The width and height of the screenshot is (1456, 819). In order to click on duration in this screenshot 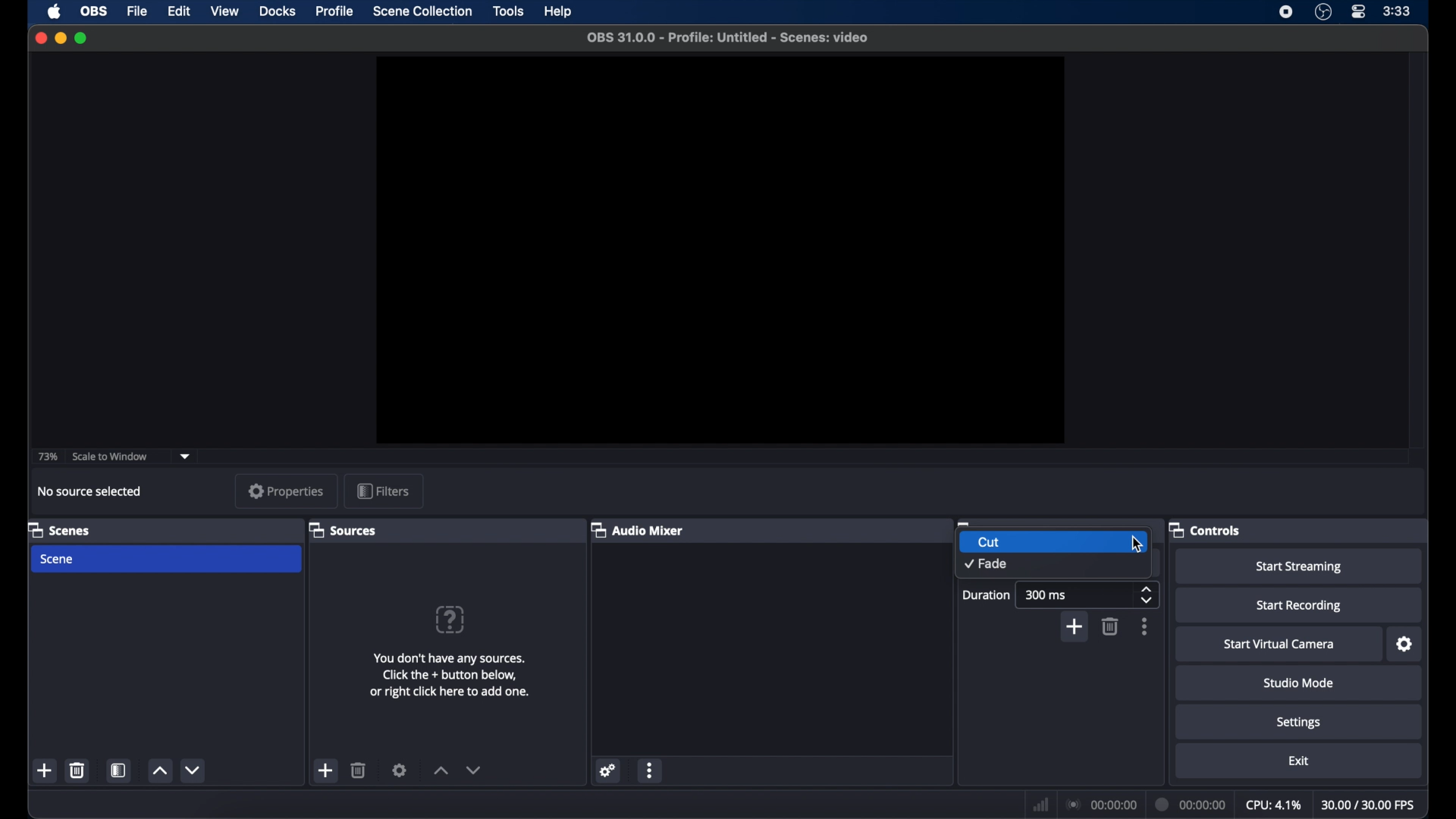, I will do `click(987, 595)`.